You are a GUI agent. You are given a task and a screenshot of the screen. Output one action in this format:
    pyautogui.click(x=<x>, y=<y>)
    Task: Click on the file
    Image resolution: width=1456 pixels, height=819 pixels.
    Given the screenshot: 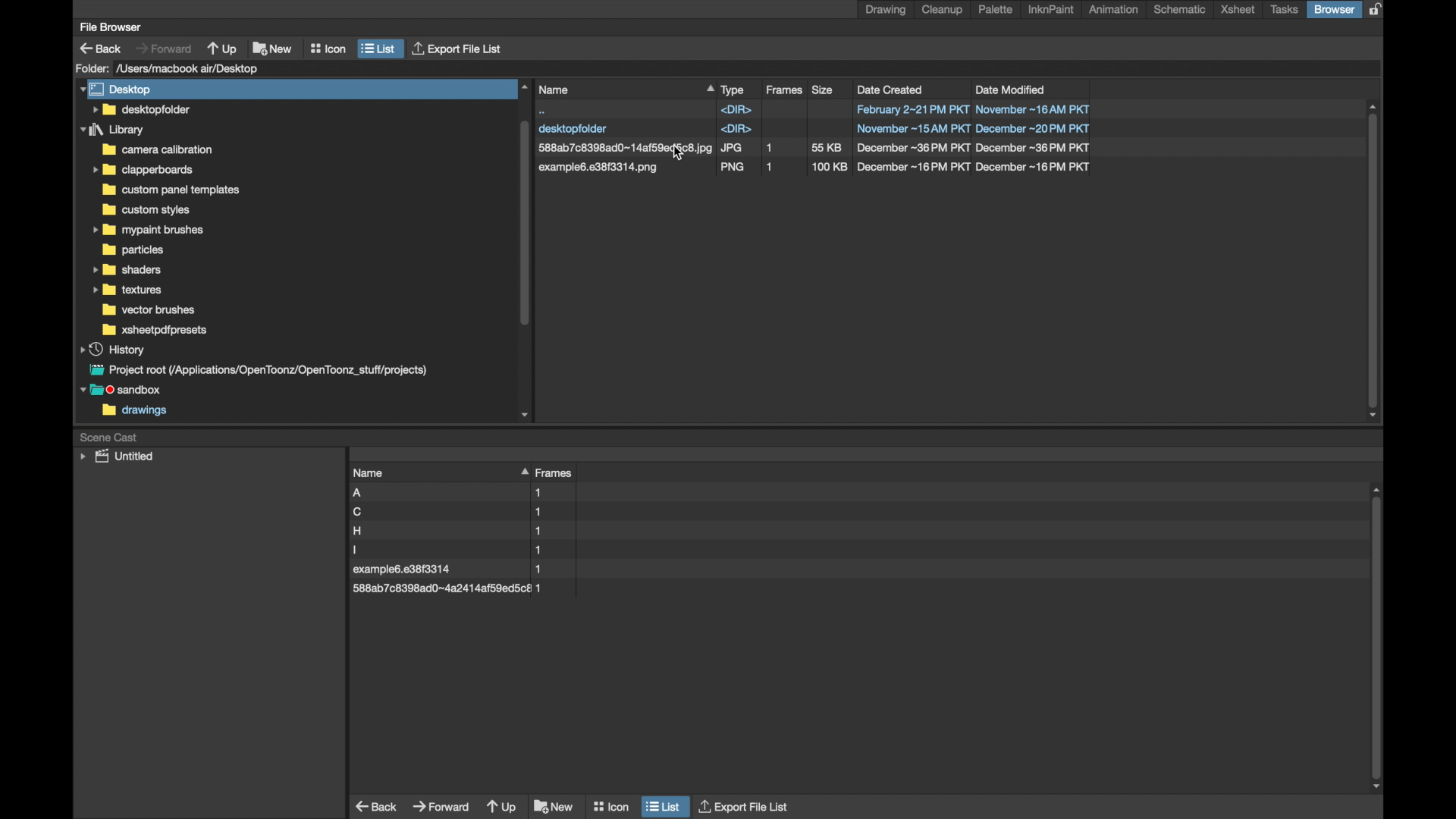 What is the action you would take?
    pyautogui.click(x=449, y=550)
    